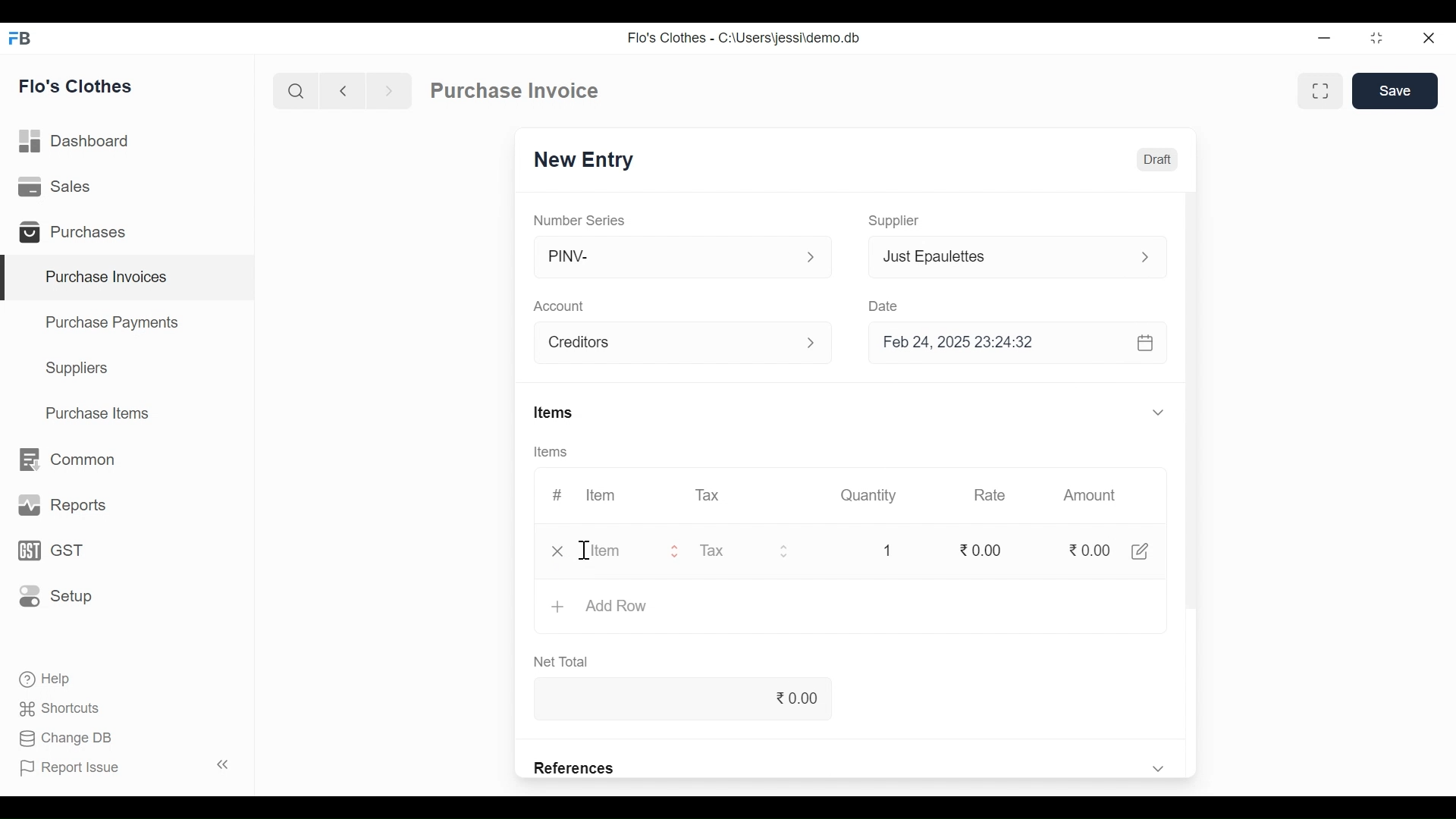  What do you see at coordinates (980, 549) in the screenshot?
I see `0.00` at bounding box center [980, 549].